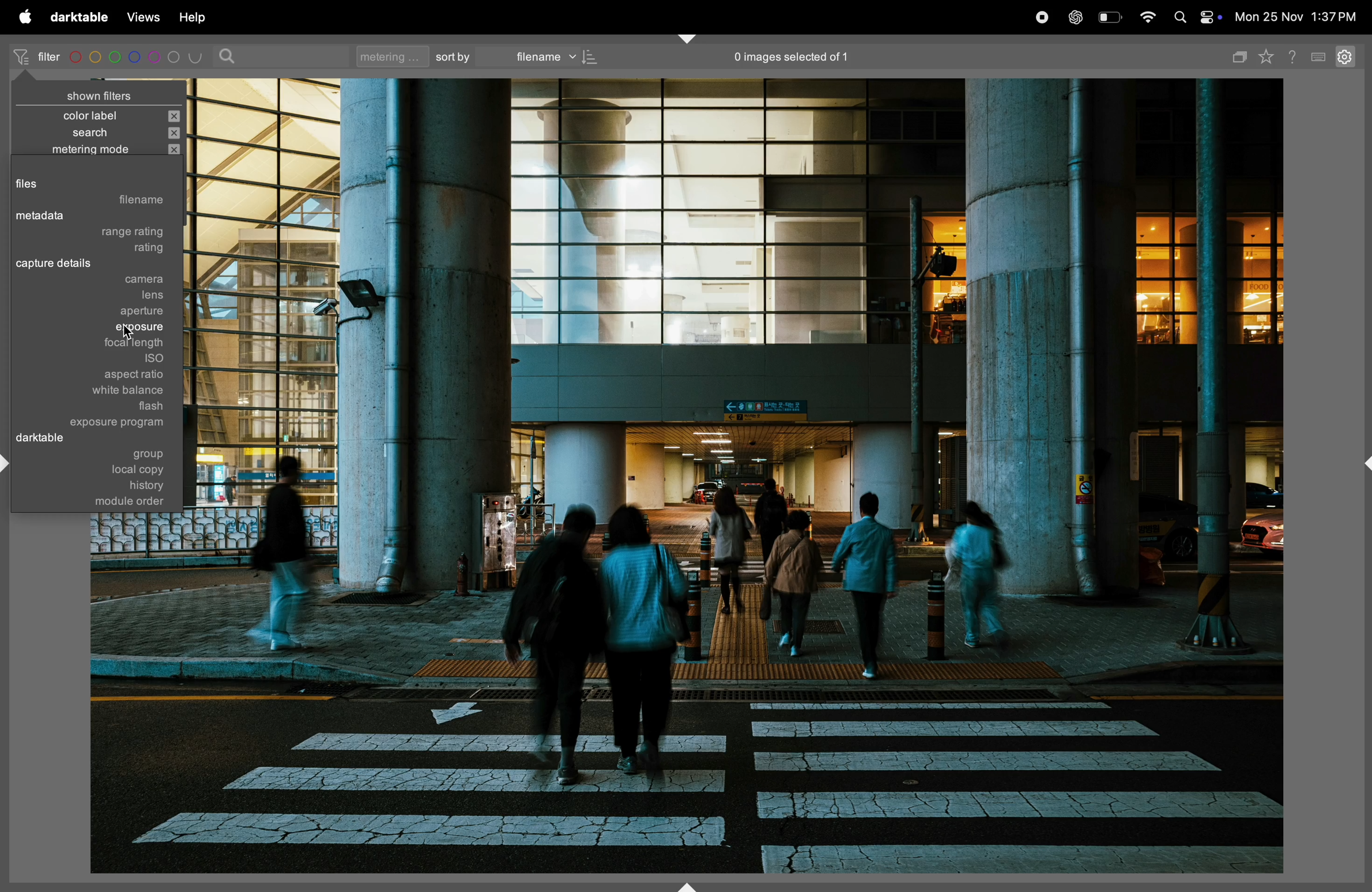 Image resolution: width=1372 pixels, height=892 pixels. Describe the element at coordinates (144, 16) in the screenshot. I see `views` at that location.